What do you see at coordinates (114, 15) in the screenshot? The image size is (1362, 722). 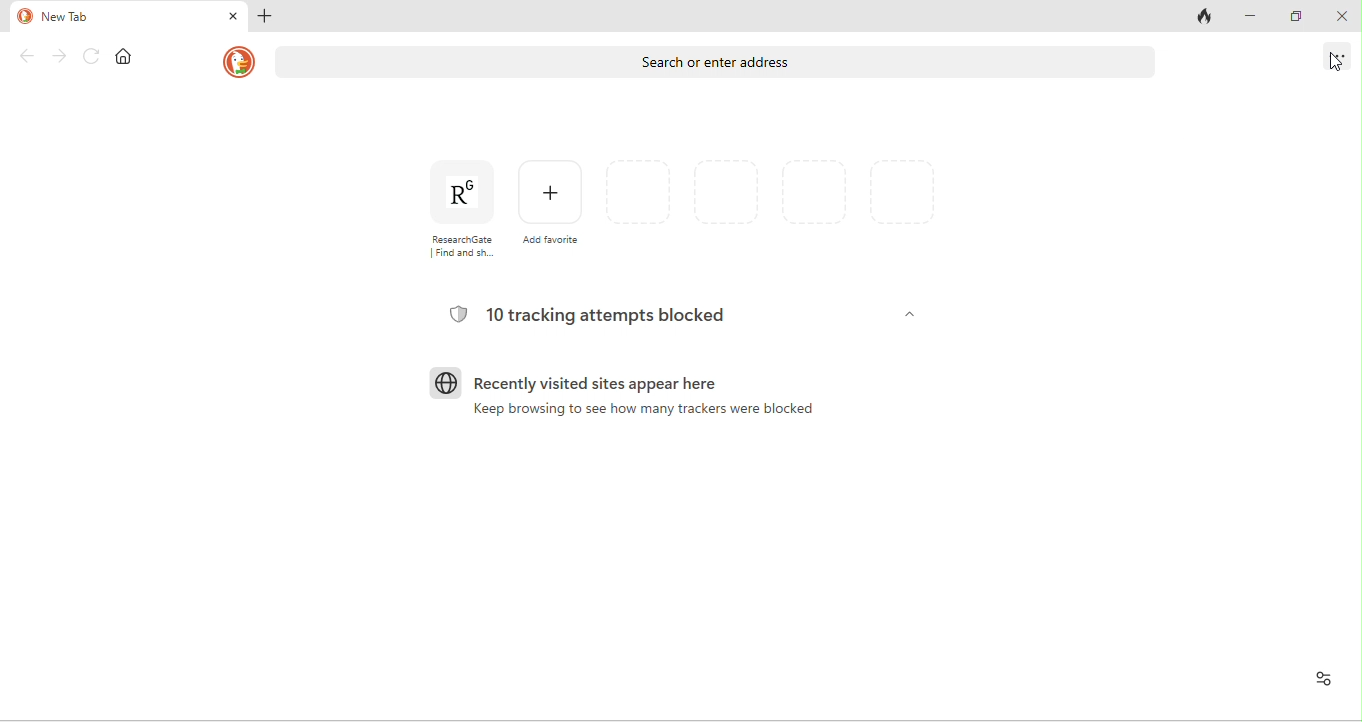 I see `new tab` at bounding box center [114, 15].